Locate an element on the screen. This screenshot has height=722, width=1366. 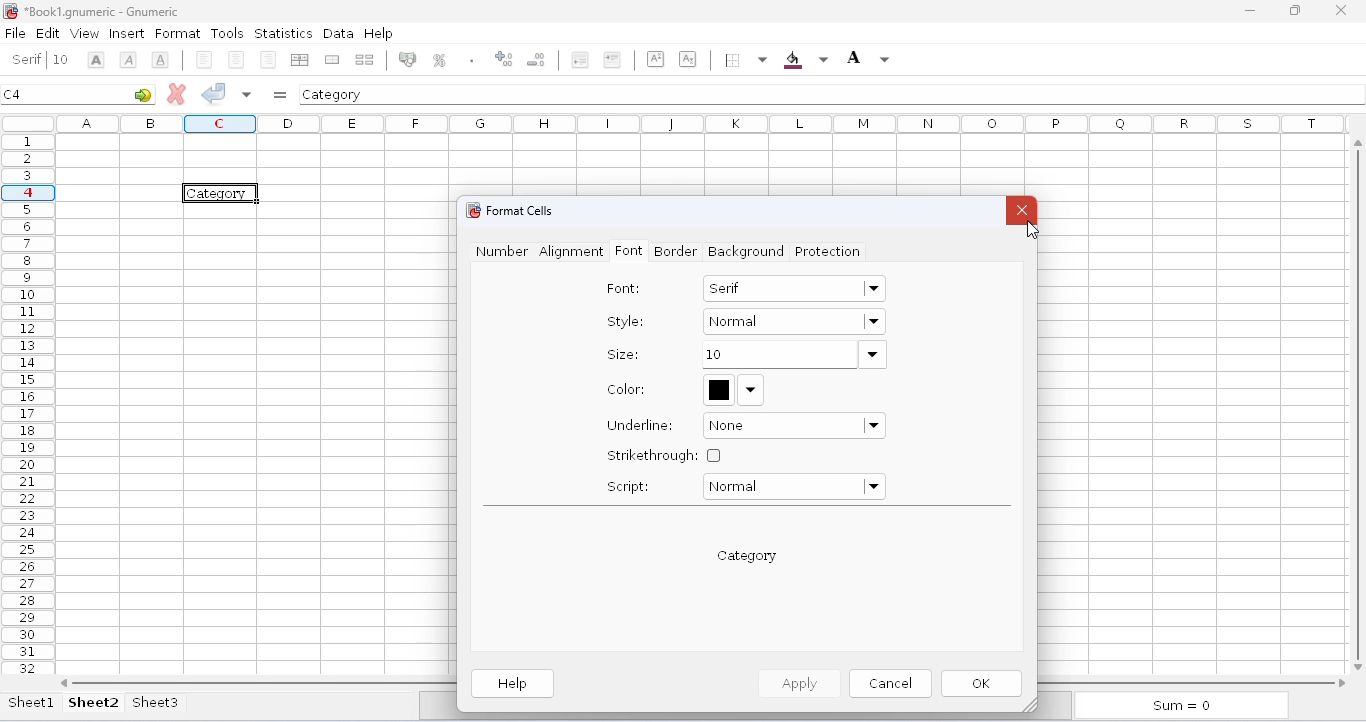
strikethrough:  is located at coordinates (664, 455).